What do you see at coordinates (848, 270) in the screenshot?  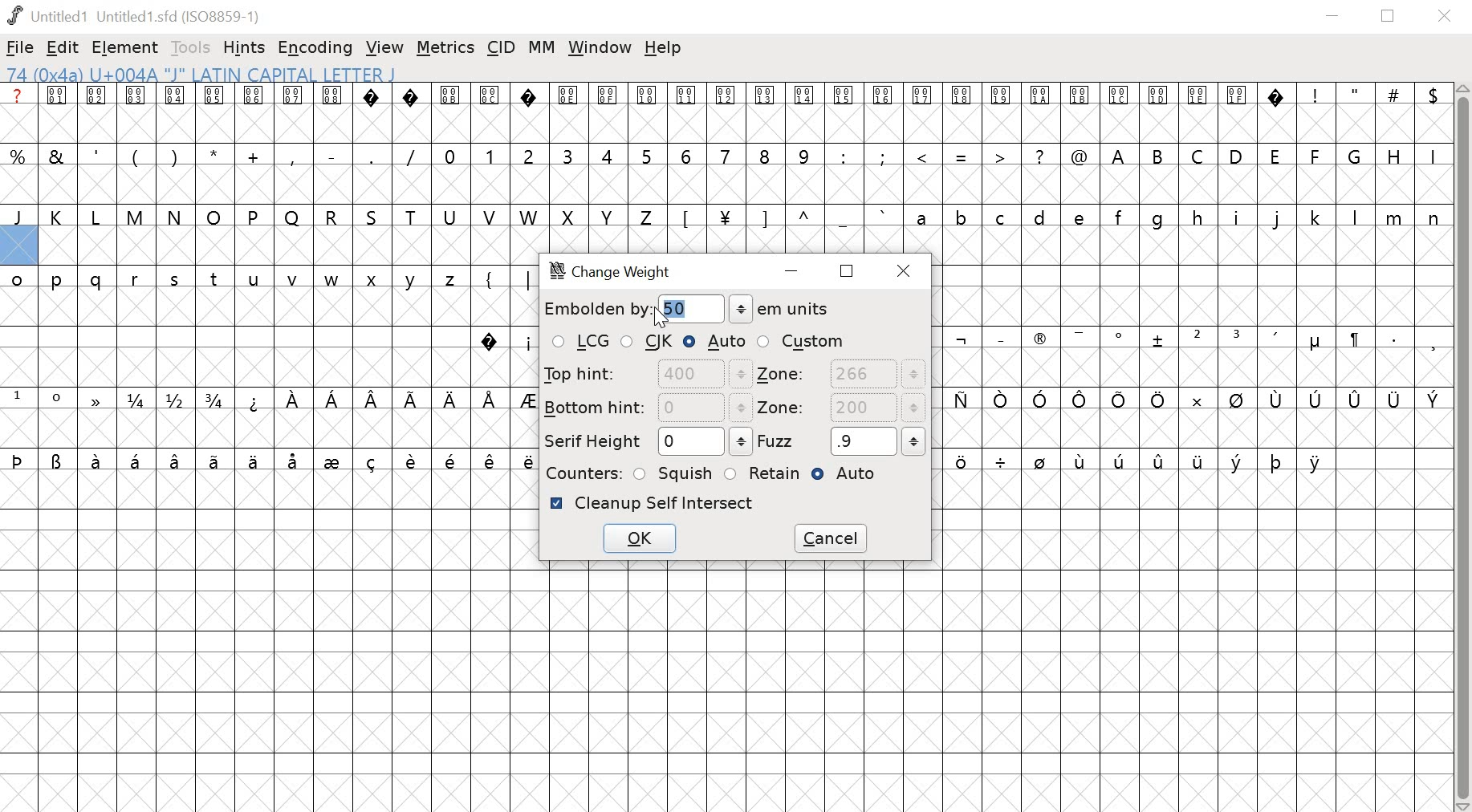 I see `restore down` at bounding box center [848, 270].